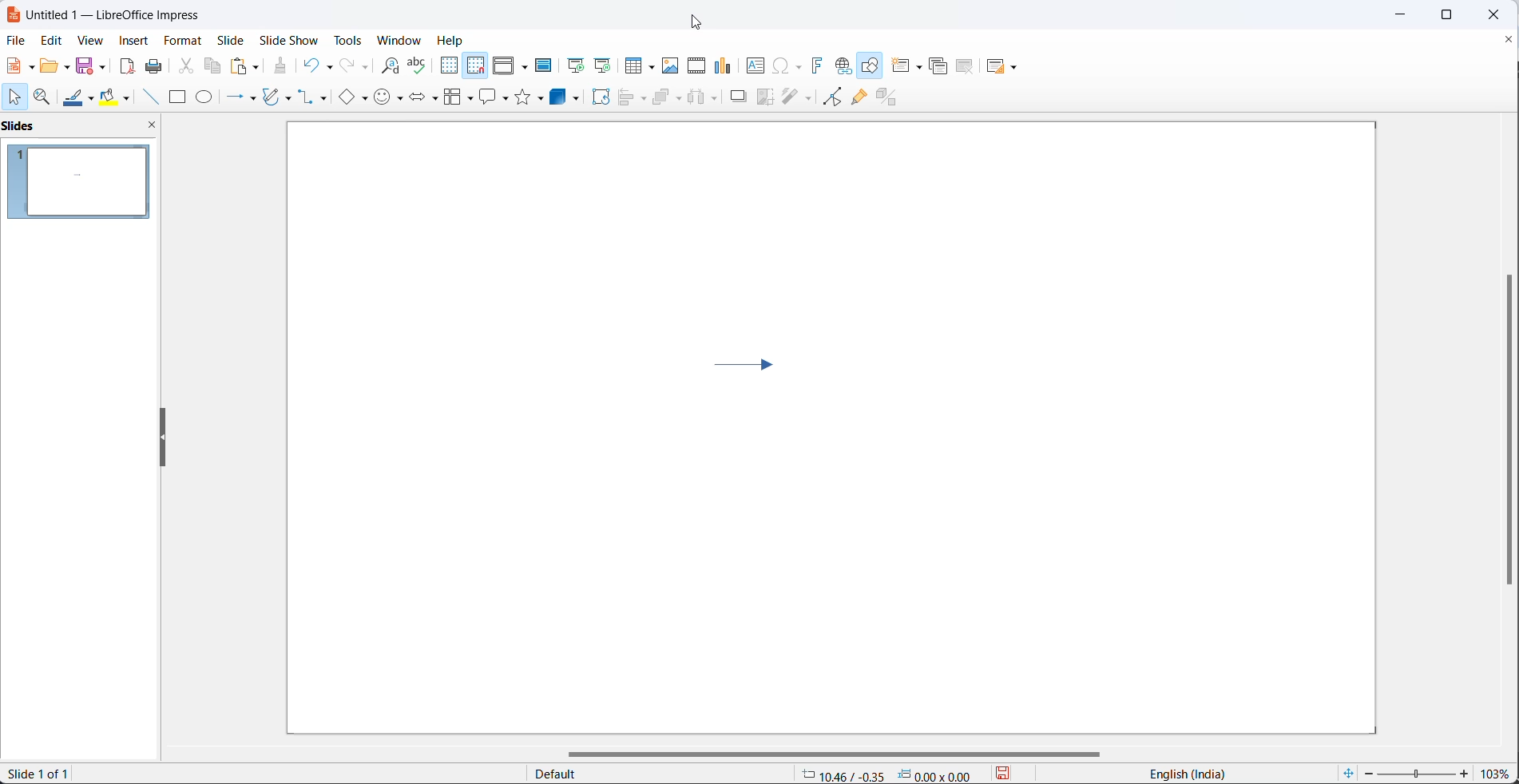 The height and width of the screenshot is (784, 1519). What do you see at coordinates (232, 40) in the screenshot?
I see `slide` at bounding box center [232, 40].